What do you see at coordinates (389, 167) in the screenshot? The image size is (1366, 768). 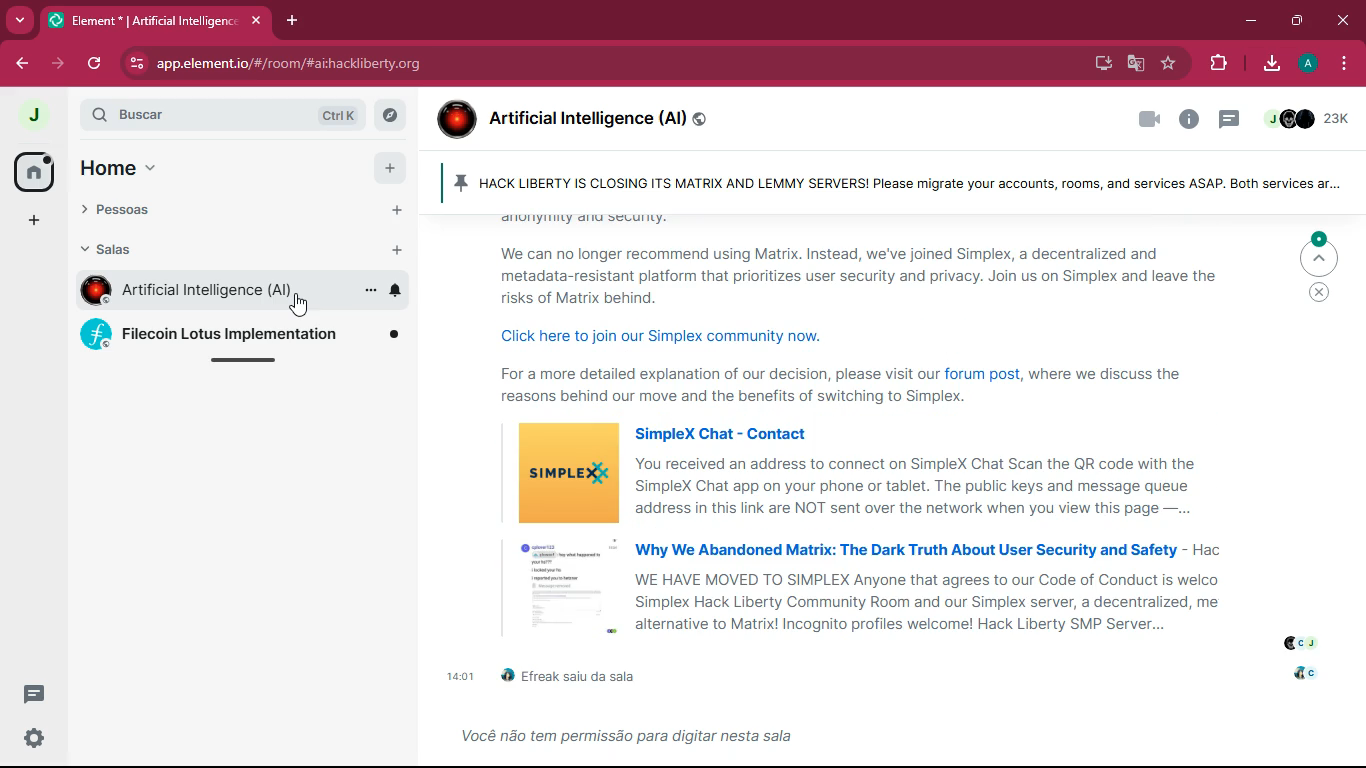 I see `add` at bounding box center [389, 167].